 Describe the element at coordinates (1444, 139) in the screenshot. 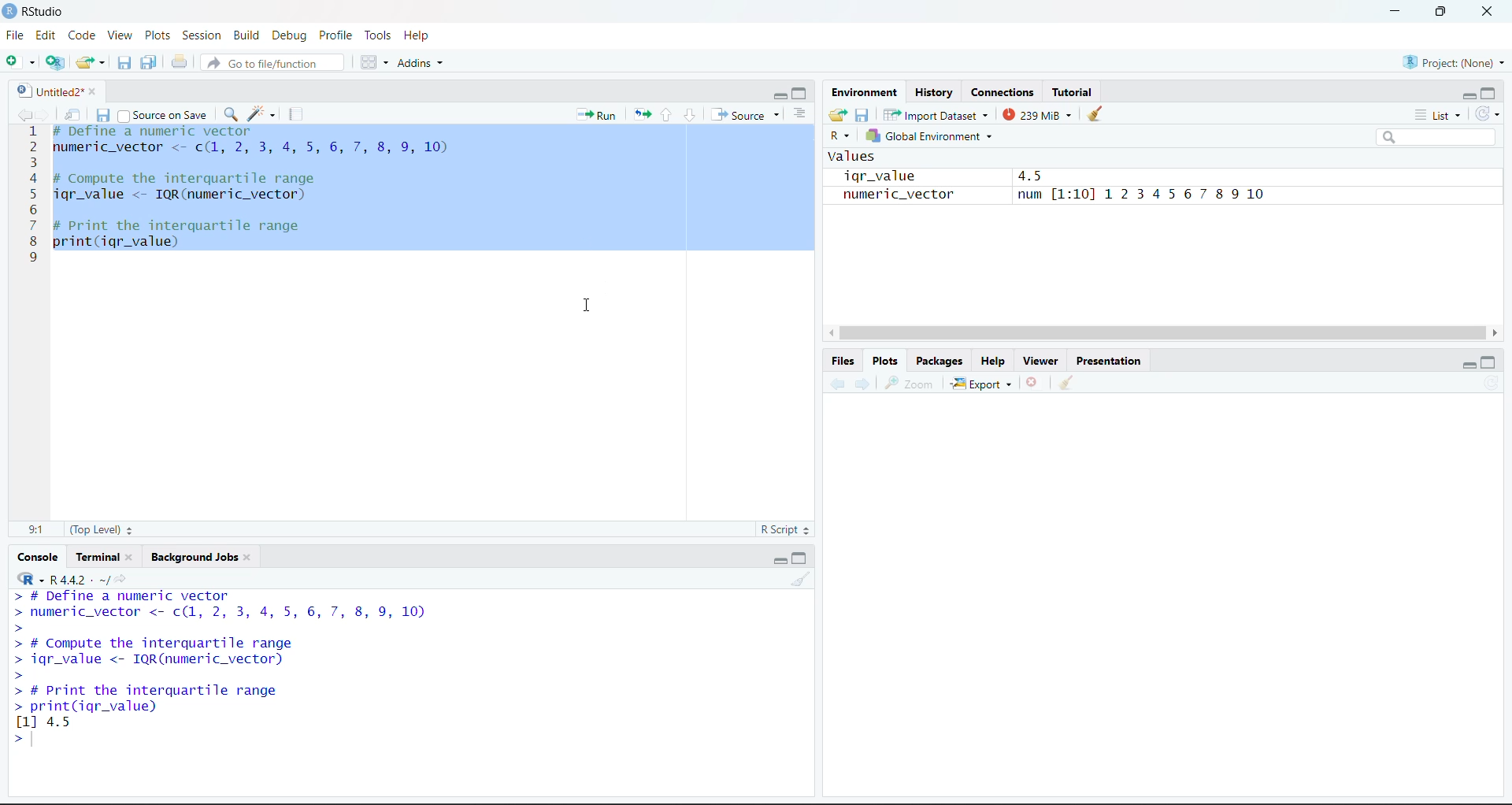

I see `Search bar` at that location.